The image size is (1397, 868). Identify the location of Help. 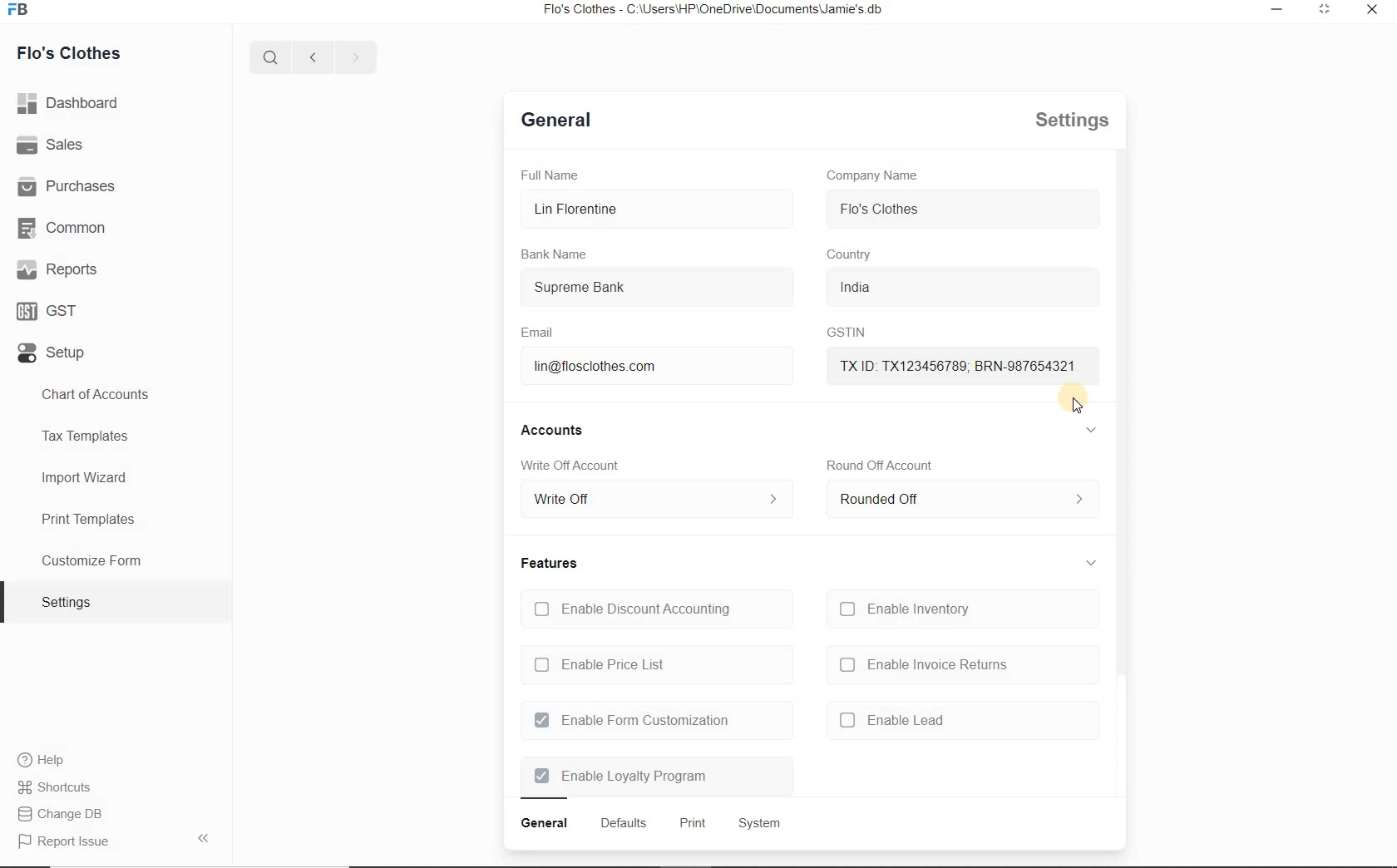
(47, 760).